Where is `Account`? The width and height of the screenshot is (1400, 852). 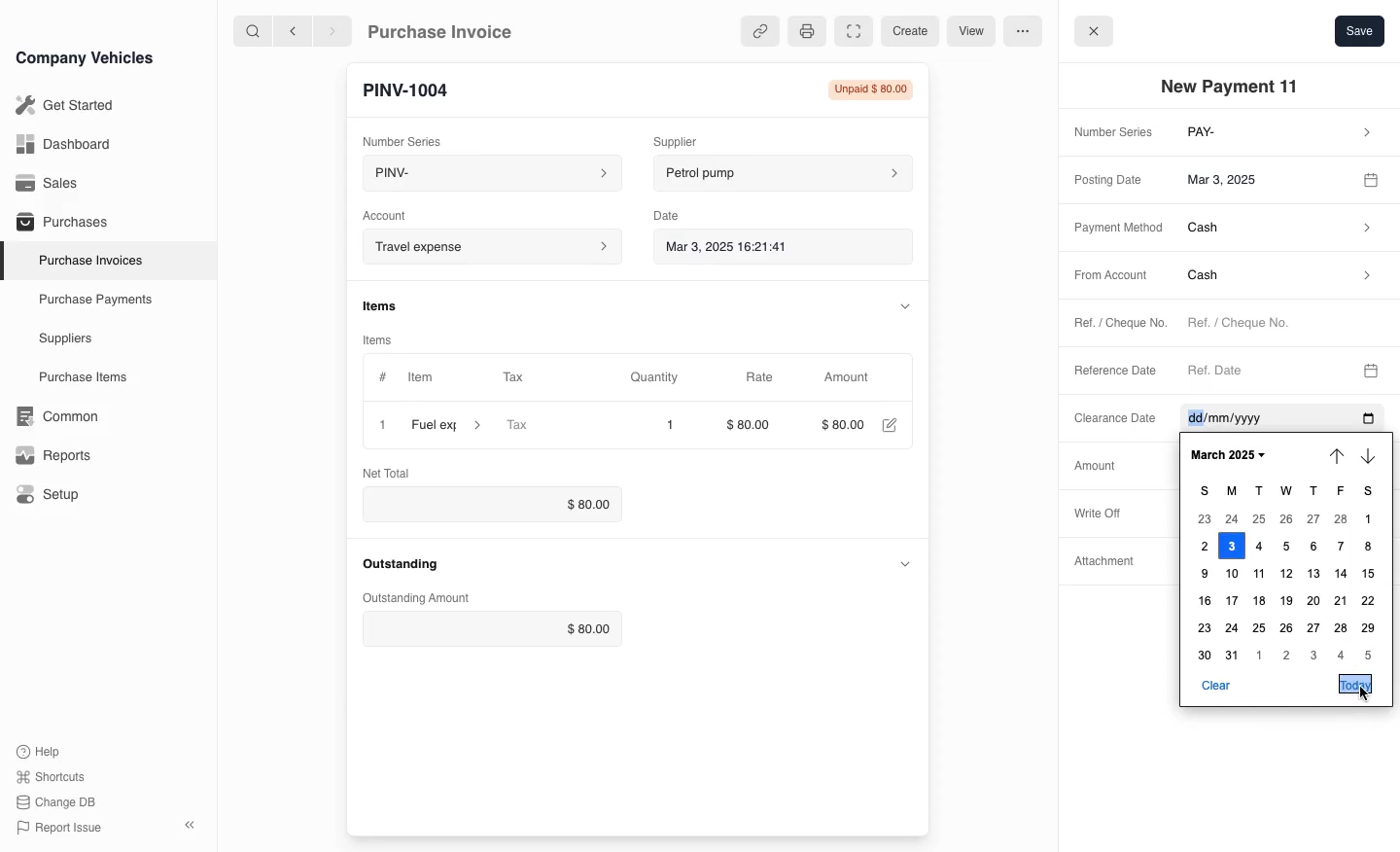
Account is located at coordinates (490, 246).